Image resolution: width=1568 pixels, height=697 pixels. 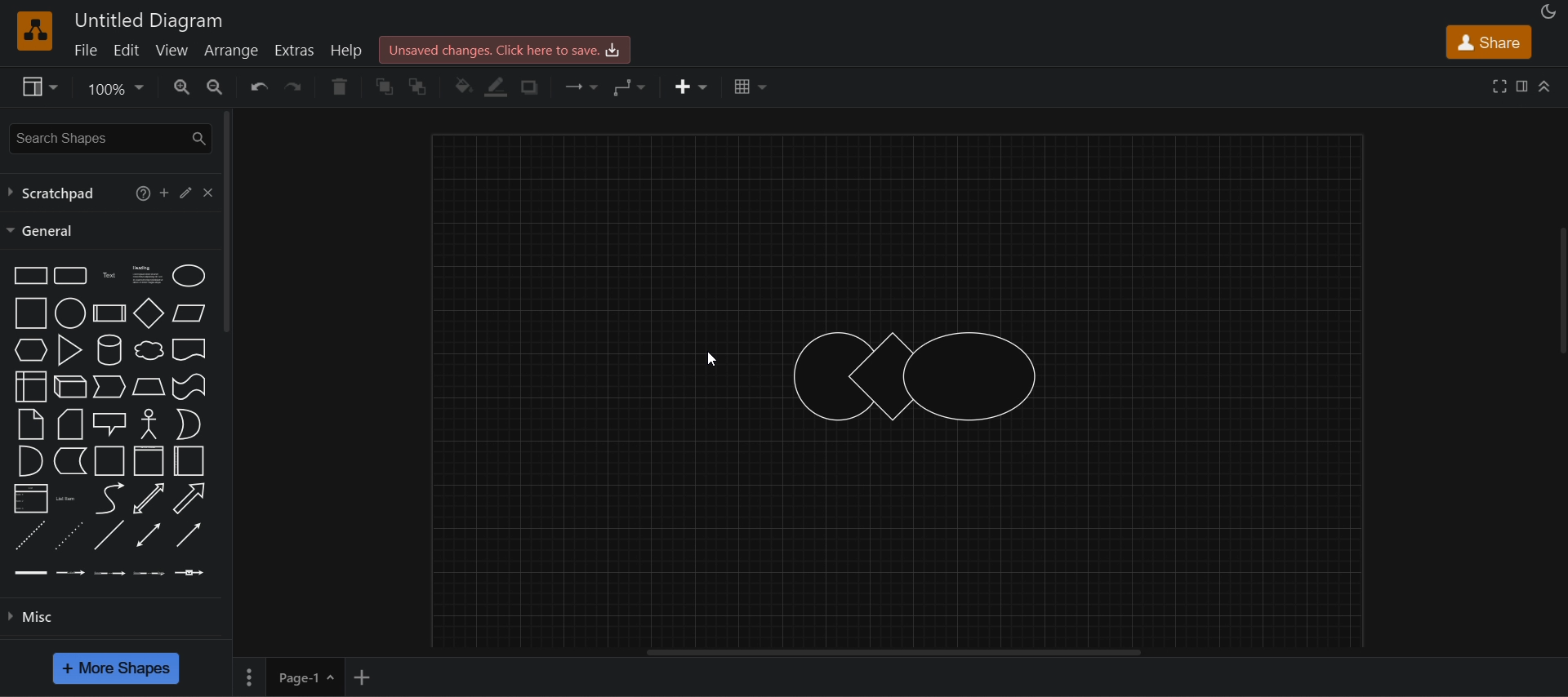 I want to click on taPE, so click(x=189, y=386).